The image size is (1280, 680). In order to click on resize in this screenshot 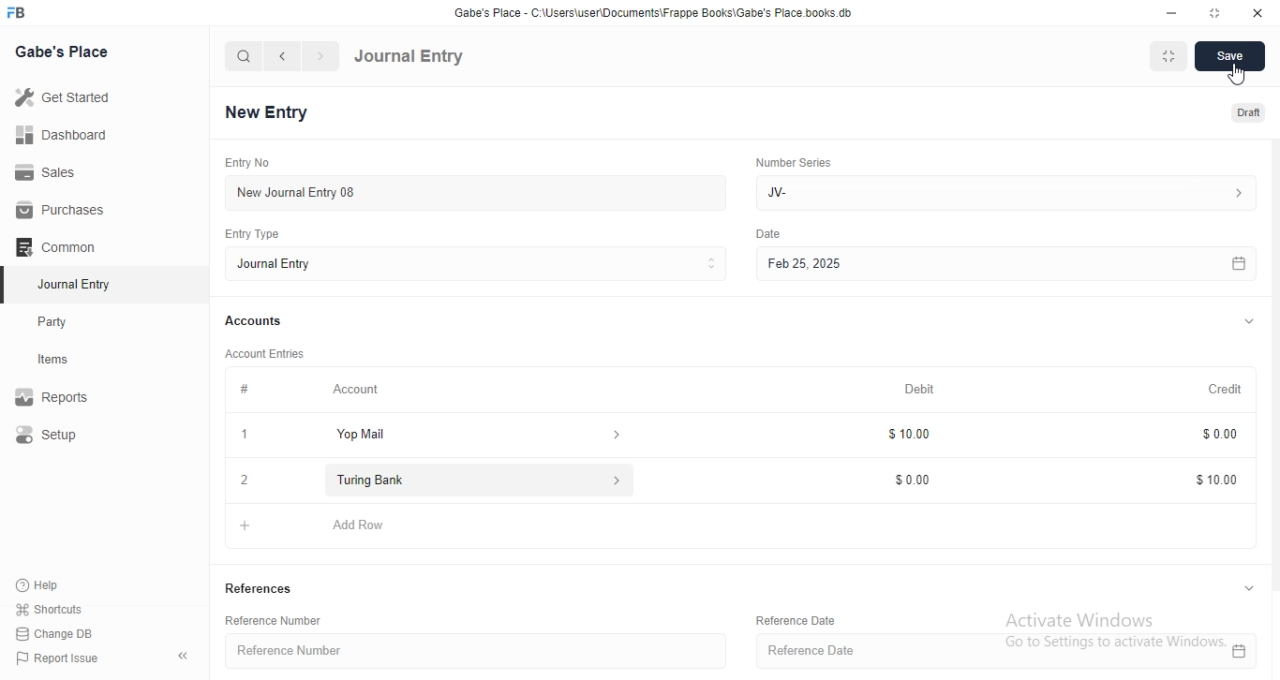, I will do `click(1211, 12)`.